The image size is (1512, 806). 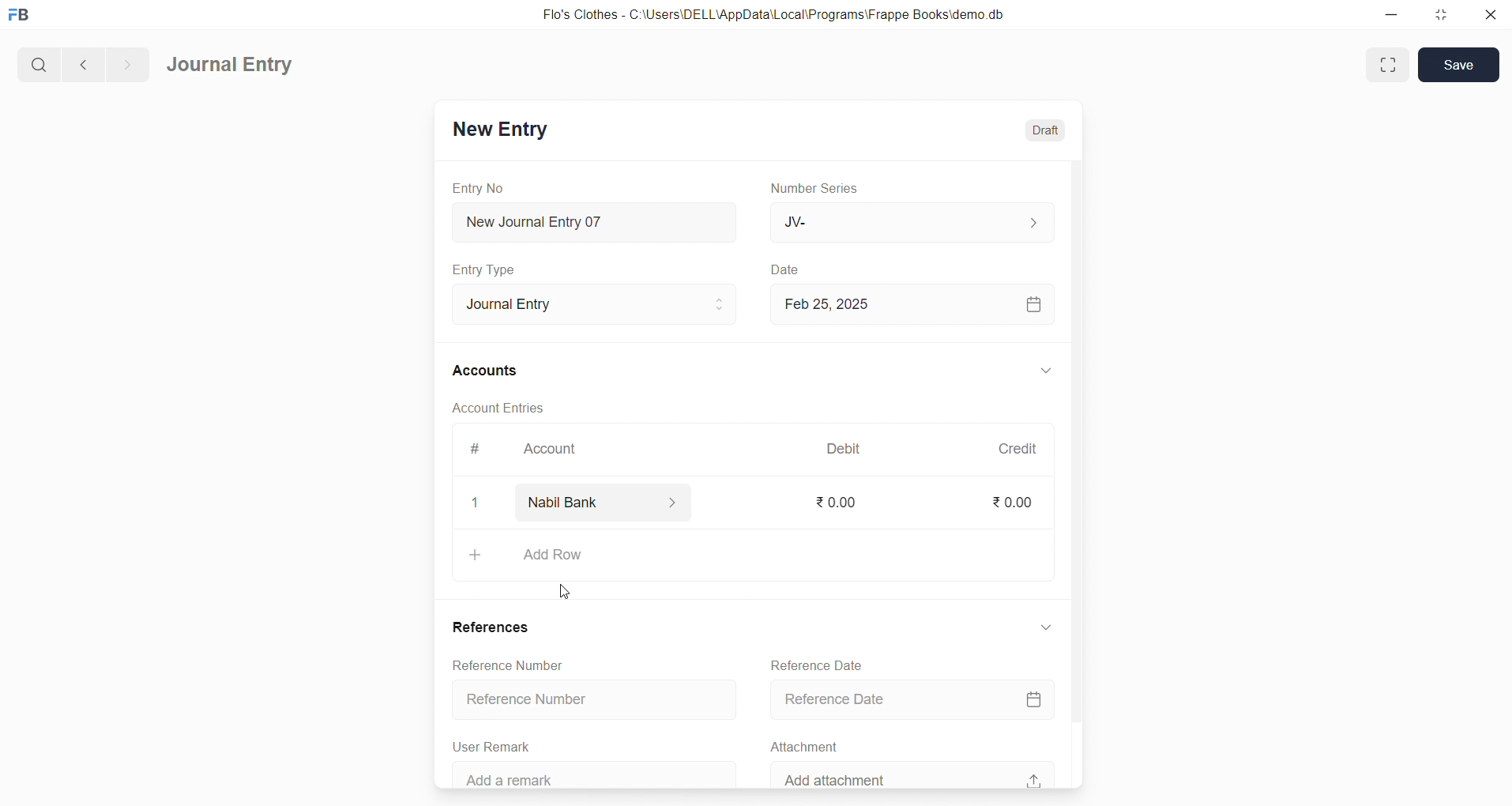 What do you see at coordinates (81, 62) in the screenshot?
I see `navigate backward ` at bounding box center [81, 62].